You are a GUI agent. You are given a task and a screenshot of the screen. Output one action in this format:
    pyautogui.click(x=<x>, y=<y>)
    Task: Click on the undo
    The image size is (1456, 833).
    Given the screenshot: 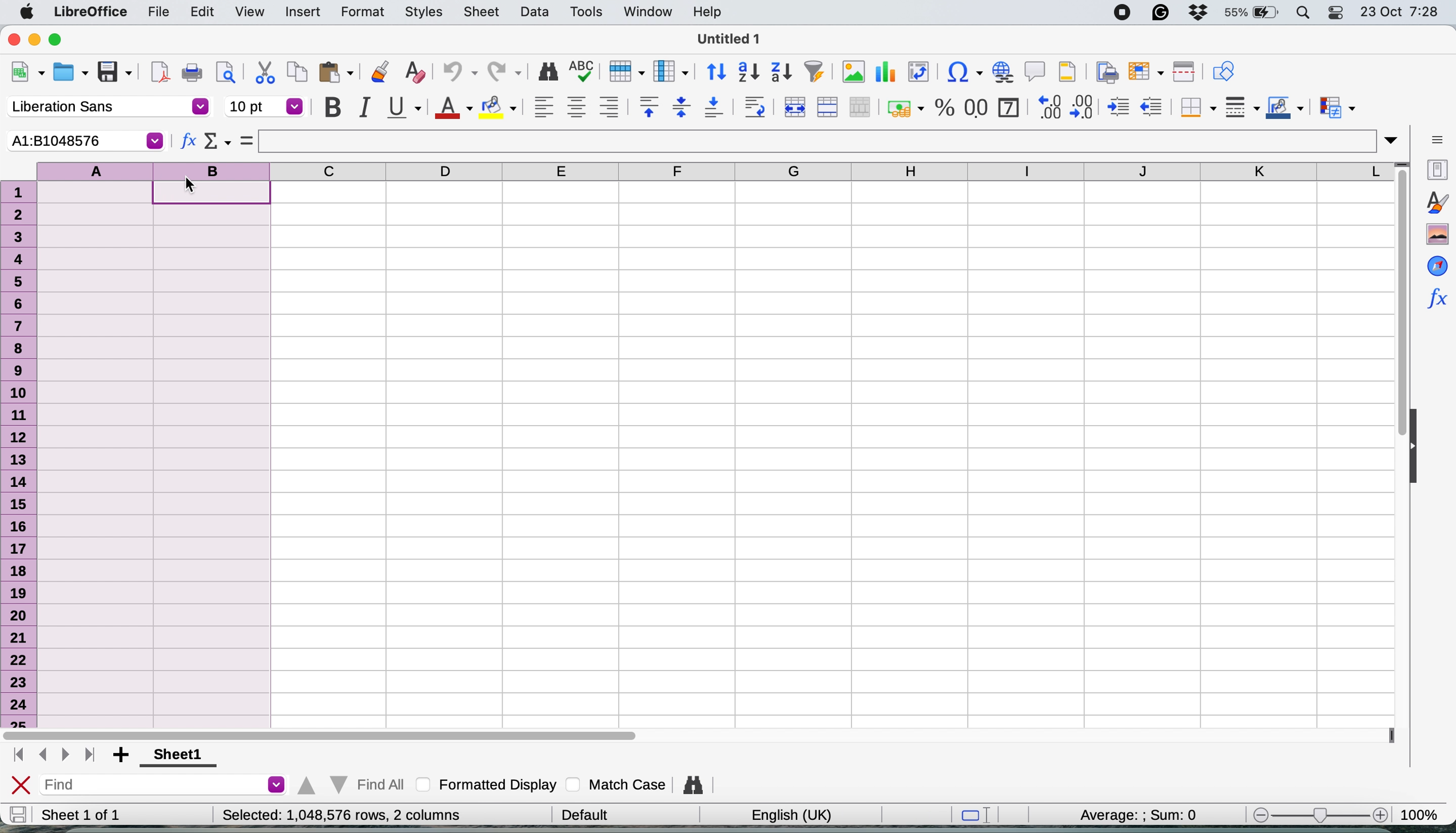 What is the action you would take?
    pyautogui.click(x=459, y=73)
    